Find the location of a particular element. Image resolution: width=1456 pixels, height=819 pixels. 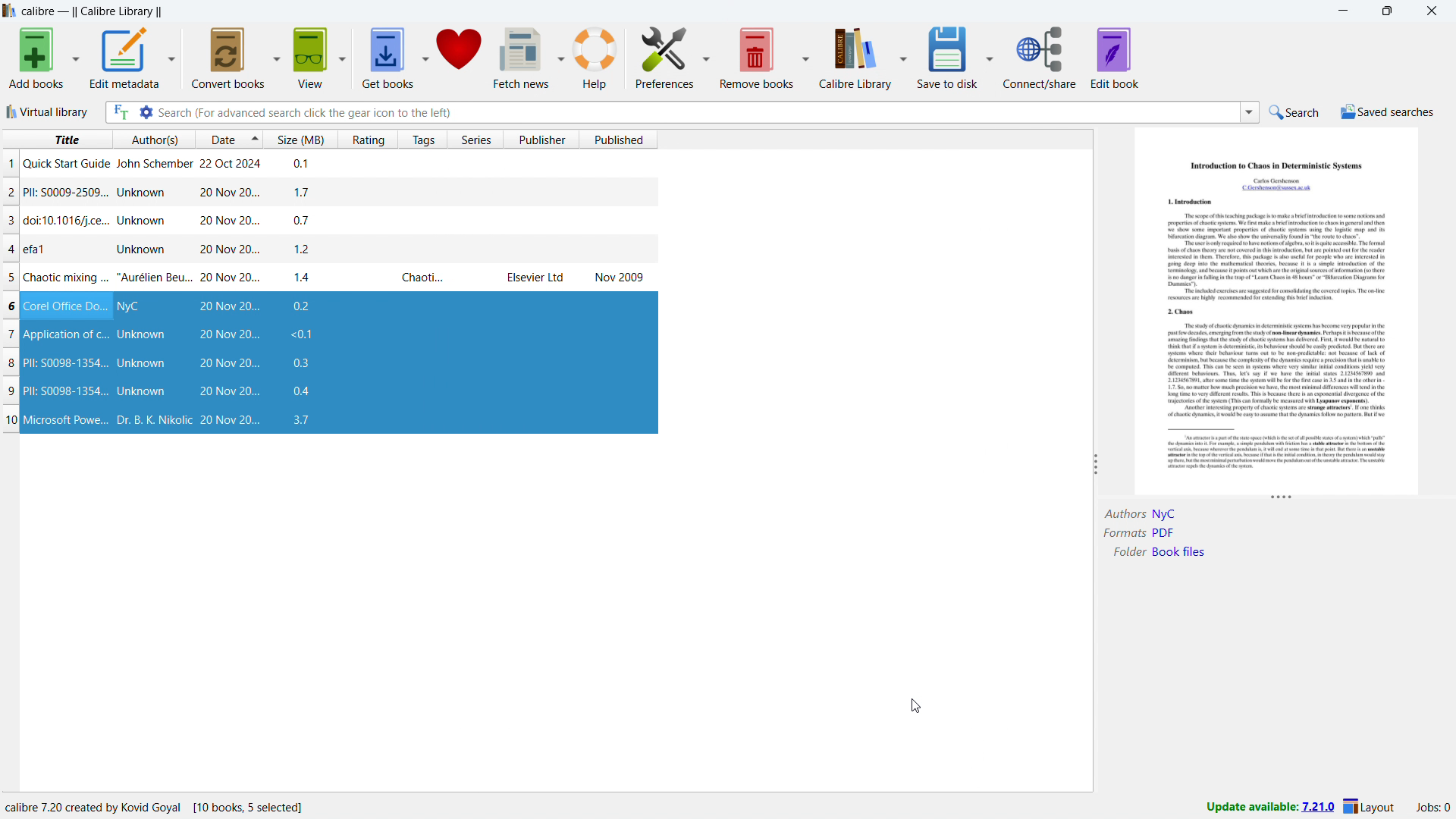

sort by size is located at coordinates (297, 139).